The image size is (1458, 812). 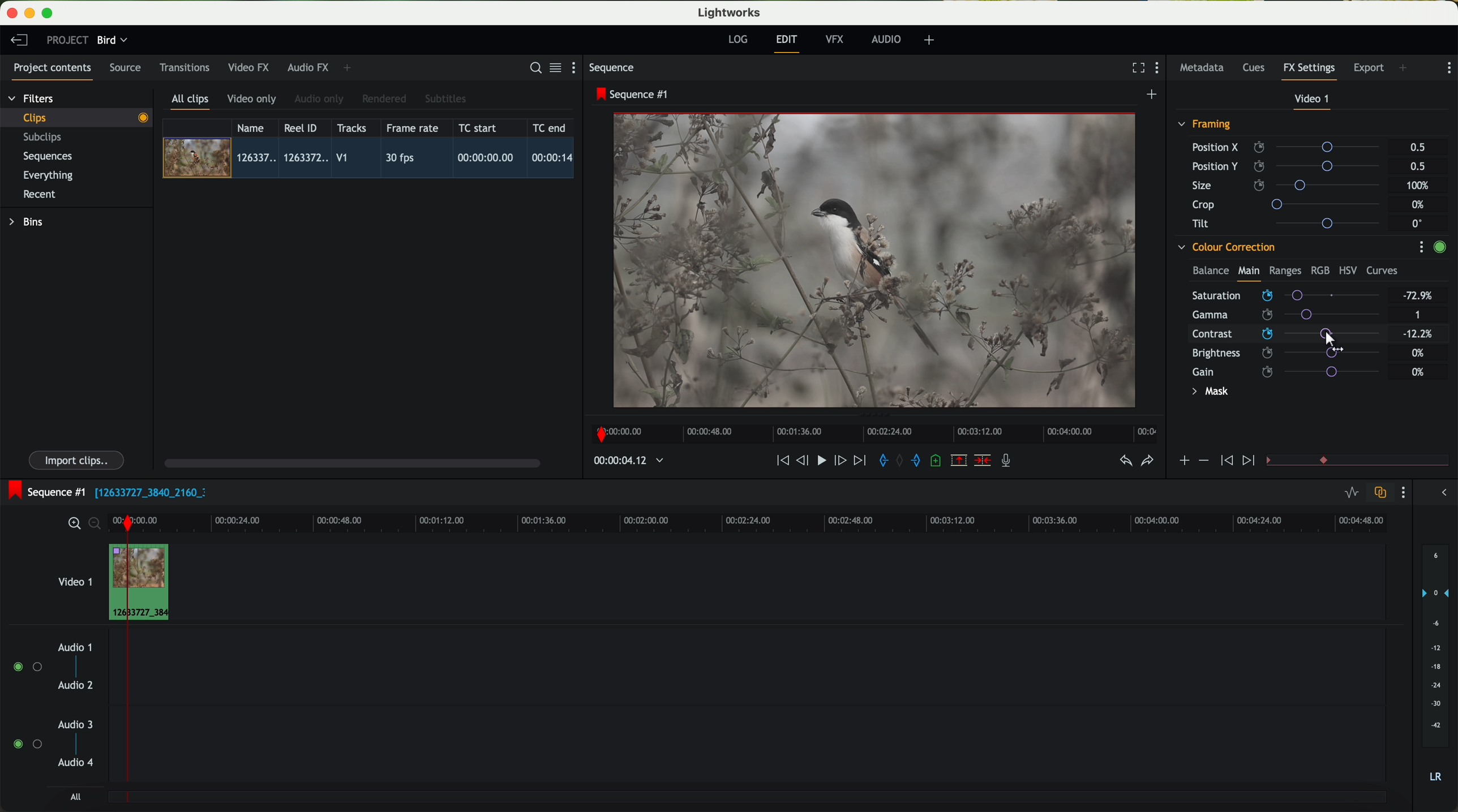 What do you see at coordinates (1448, 68) in the screenshot?
I see `show settings menu` at bounding box center [1448, 68].